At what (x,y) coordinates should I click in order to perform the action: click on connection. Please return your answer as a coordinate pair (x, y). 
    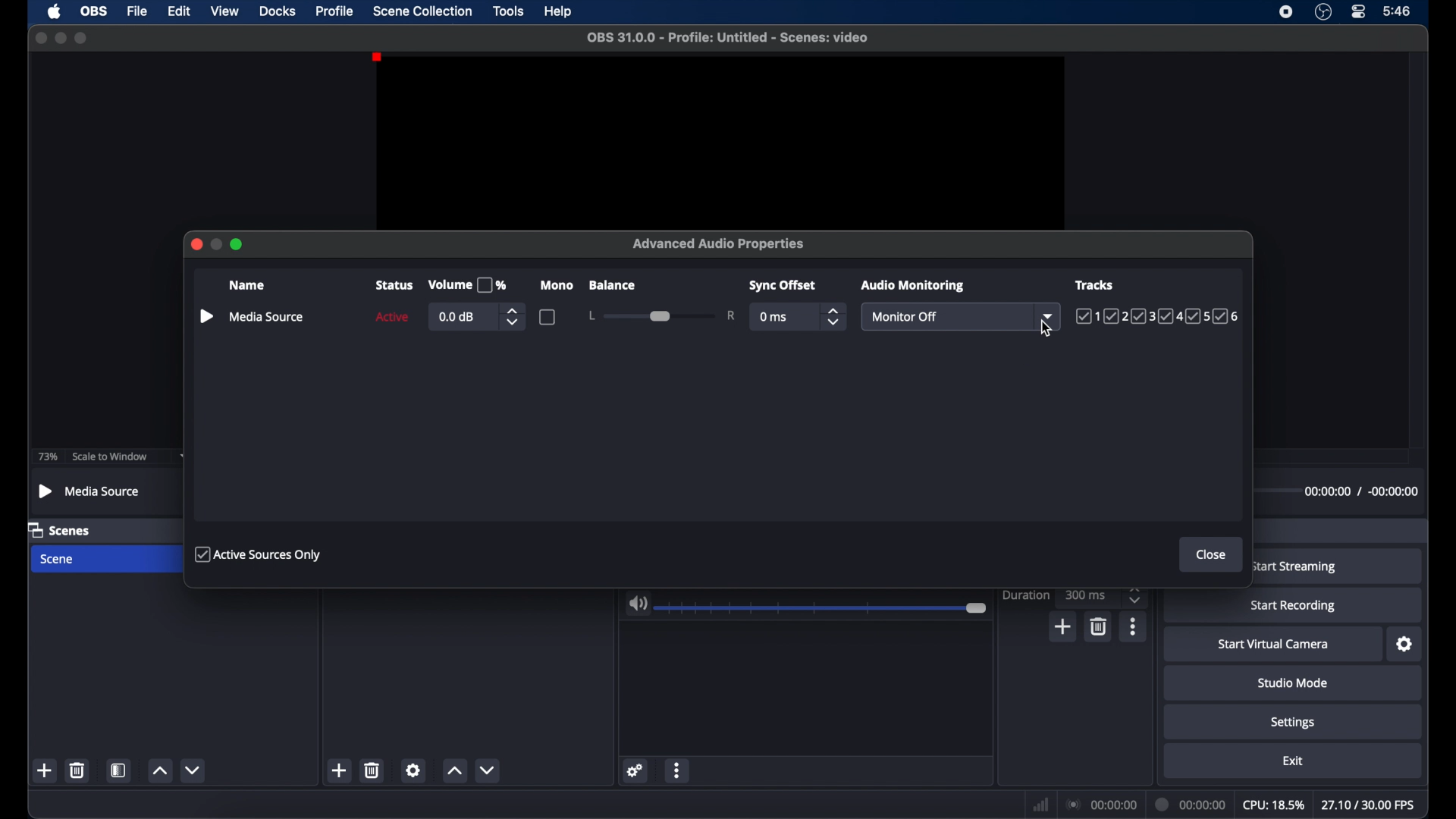
    Looking at the image, I should click on (1100, 805).